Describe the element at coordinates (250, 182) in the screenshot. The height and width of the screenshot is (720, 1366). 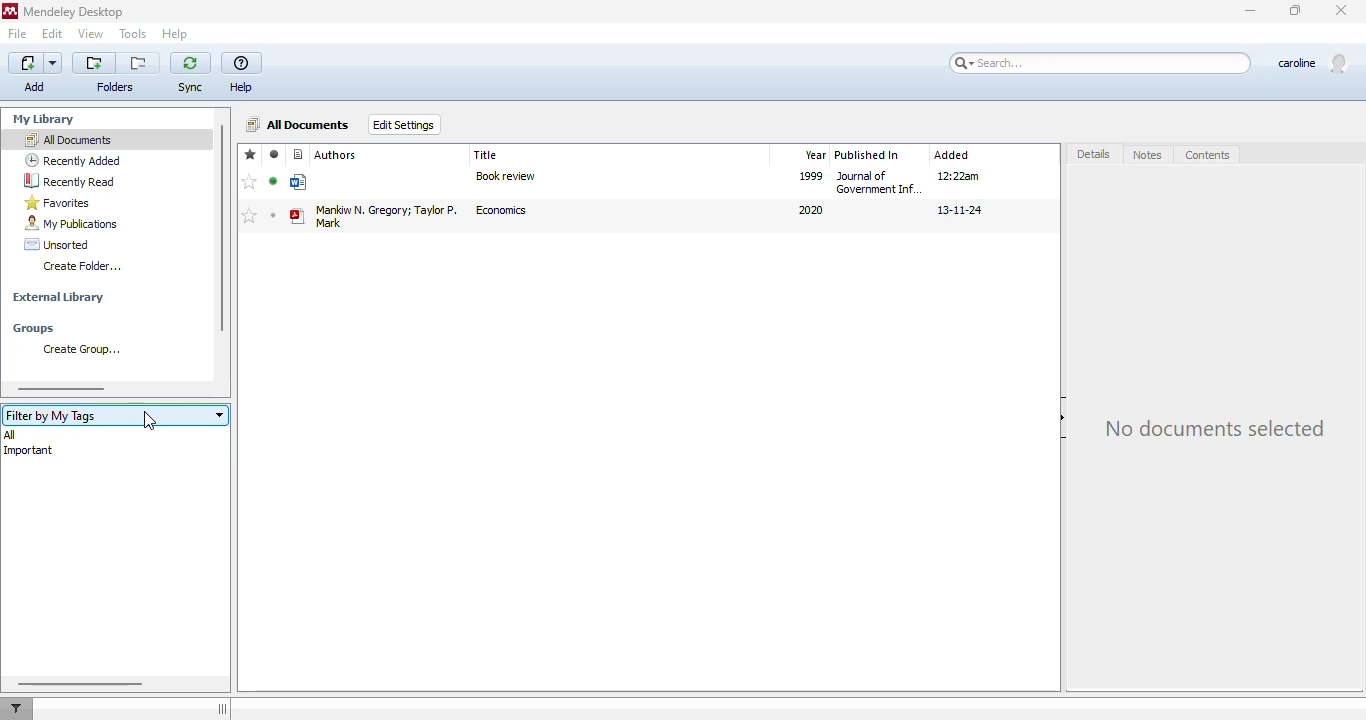
I see `add to favorites` at that location.